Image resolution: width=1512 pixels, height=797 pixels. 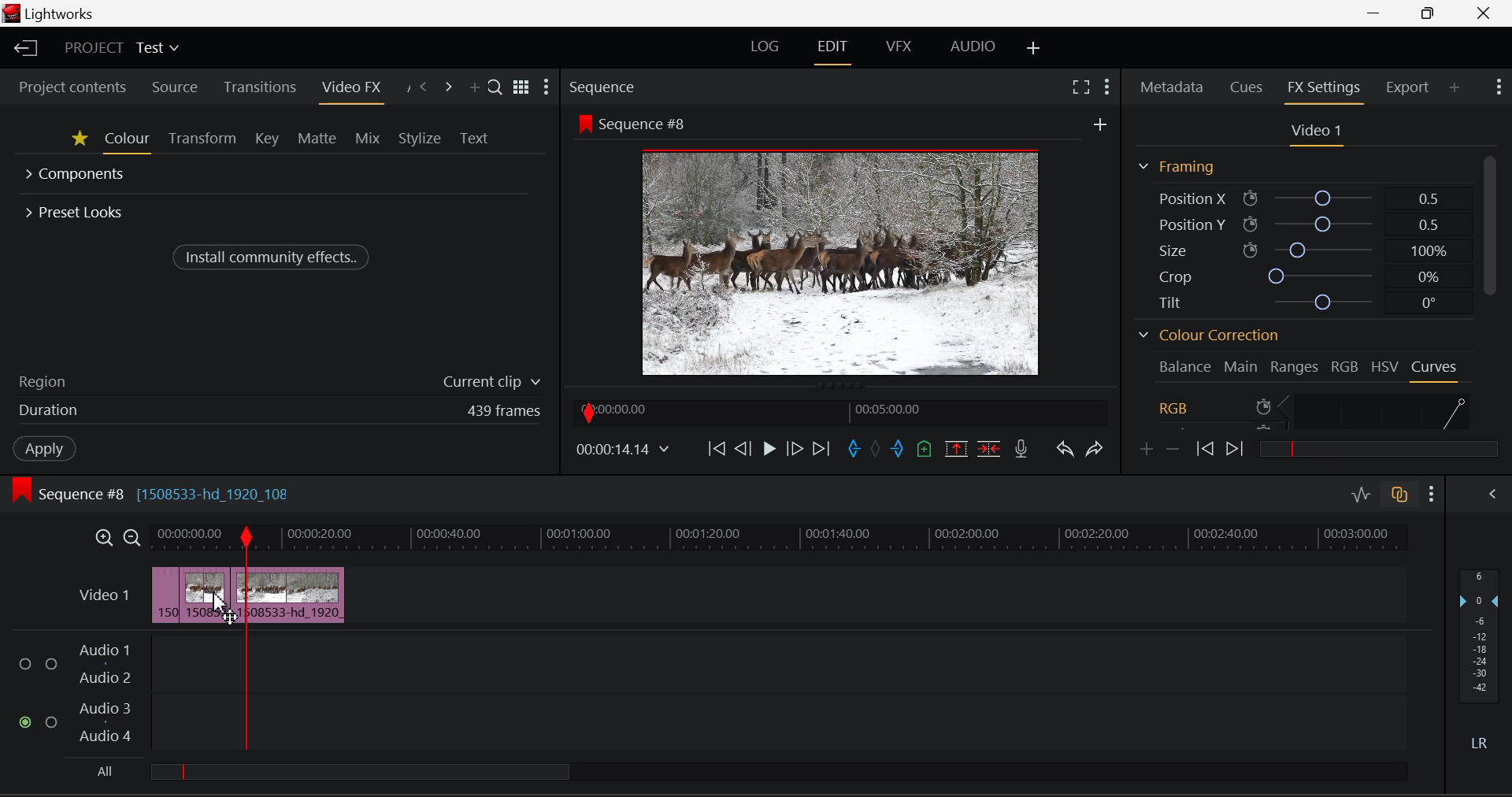 What do you see at coordinates (1065, 451) in the screenshot?
I see `Undo` at bounding box center [1065, 451].